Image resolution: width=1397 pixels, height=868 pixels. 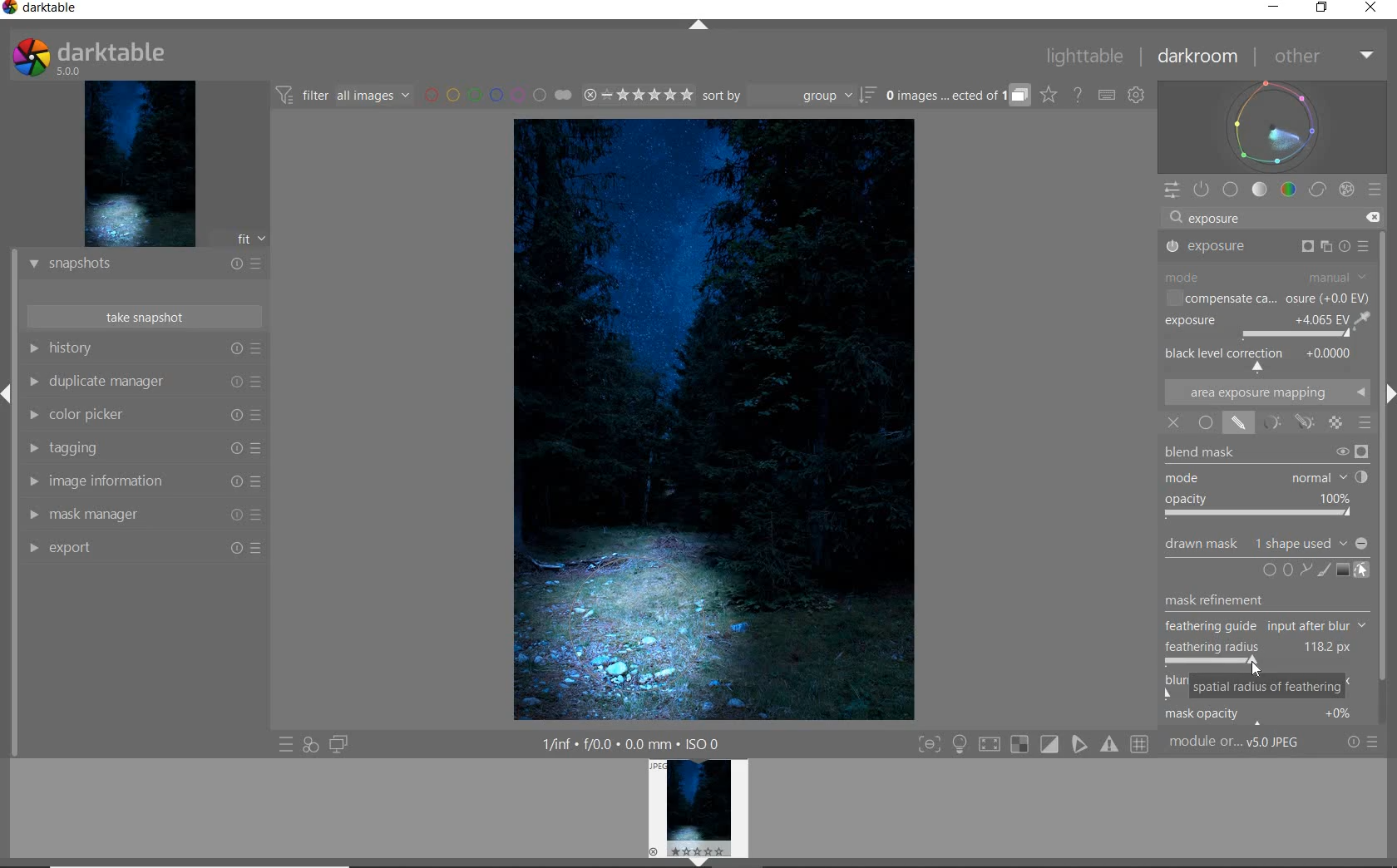 What do you see at coordinates (1203, 423) in the screenshot?
I see `UNIFORMLY` at bounding box center [1203, 423].